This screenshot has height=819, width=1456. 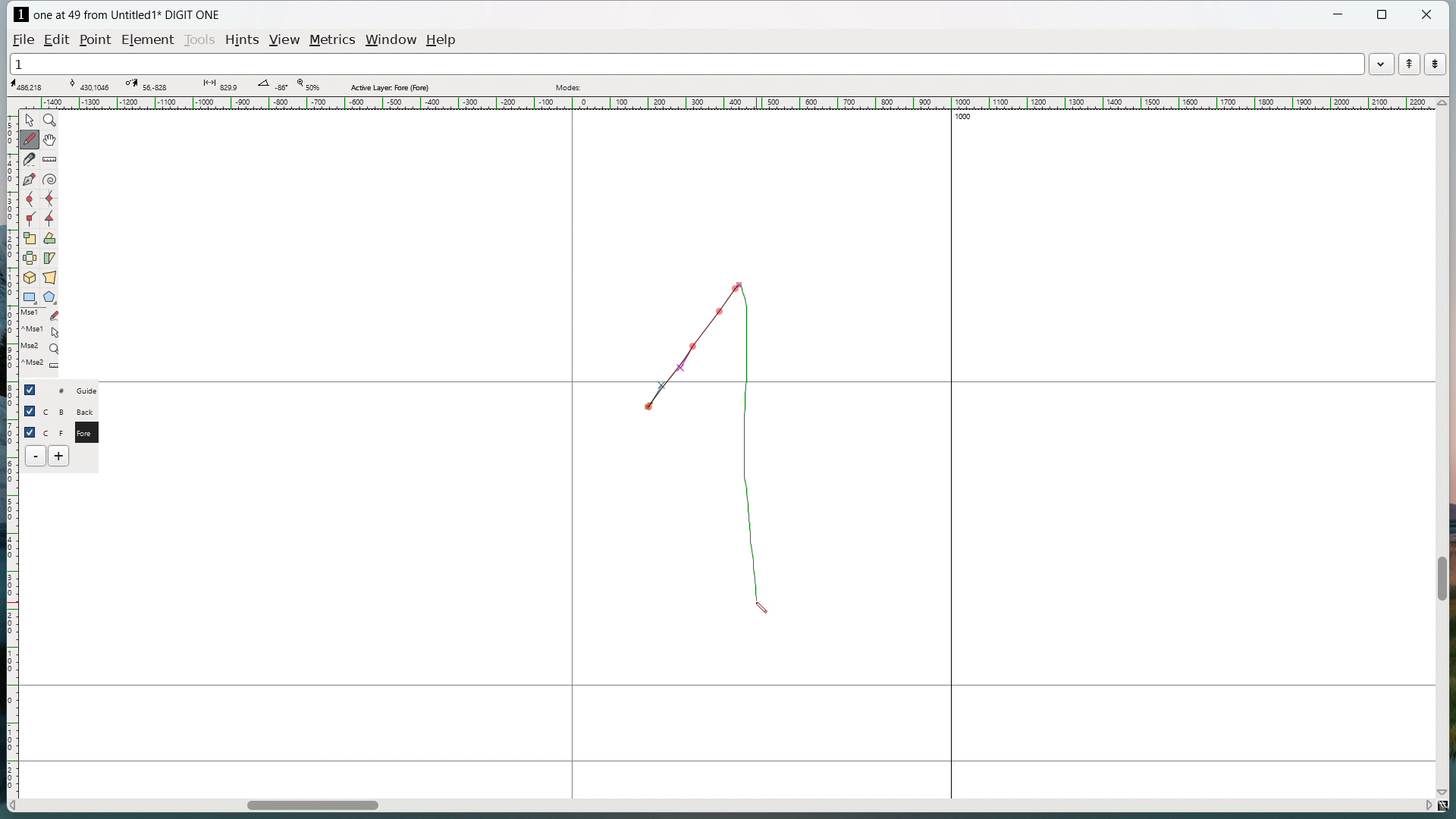 What do you see at coordinates (1446, 789) in the screenshot?
I see `scroll down` at bounding box center [1446, 789].